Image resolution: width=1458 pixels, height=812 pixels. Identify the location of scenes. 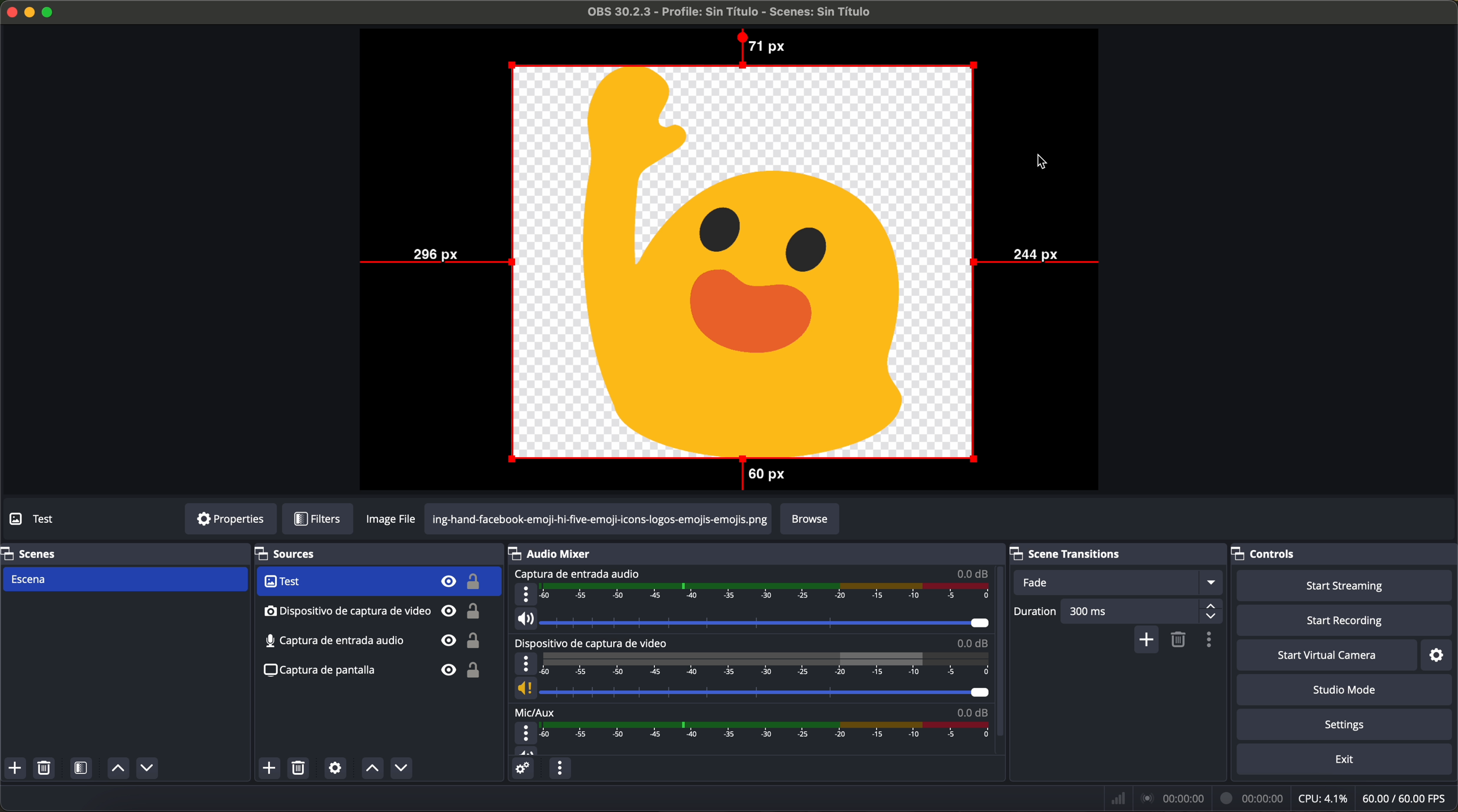
(31, 553).